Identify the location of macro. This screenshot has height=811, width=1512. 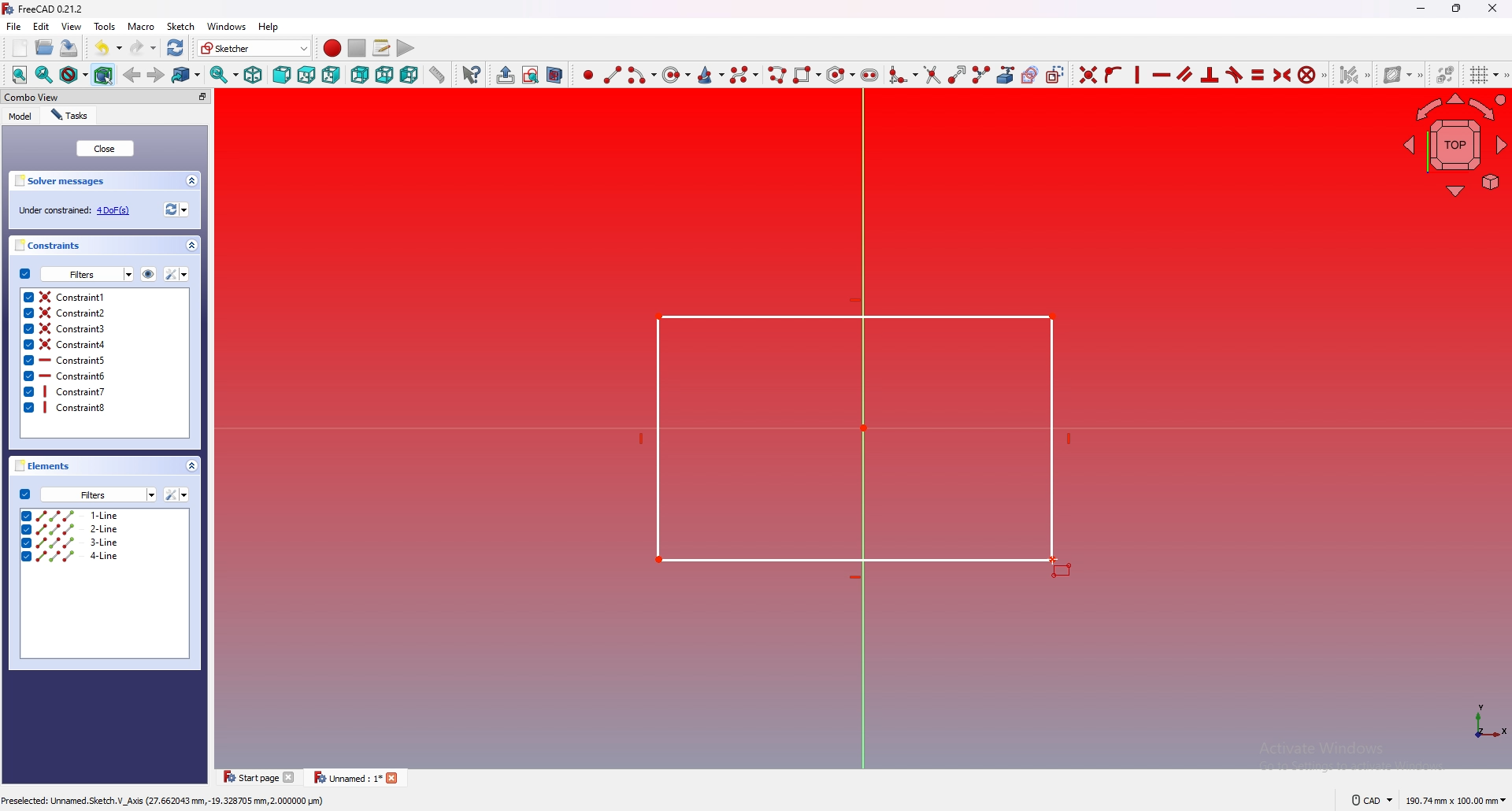
(140, 25).